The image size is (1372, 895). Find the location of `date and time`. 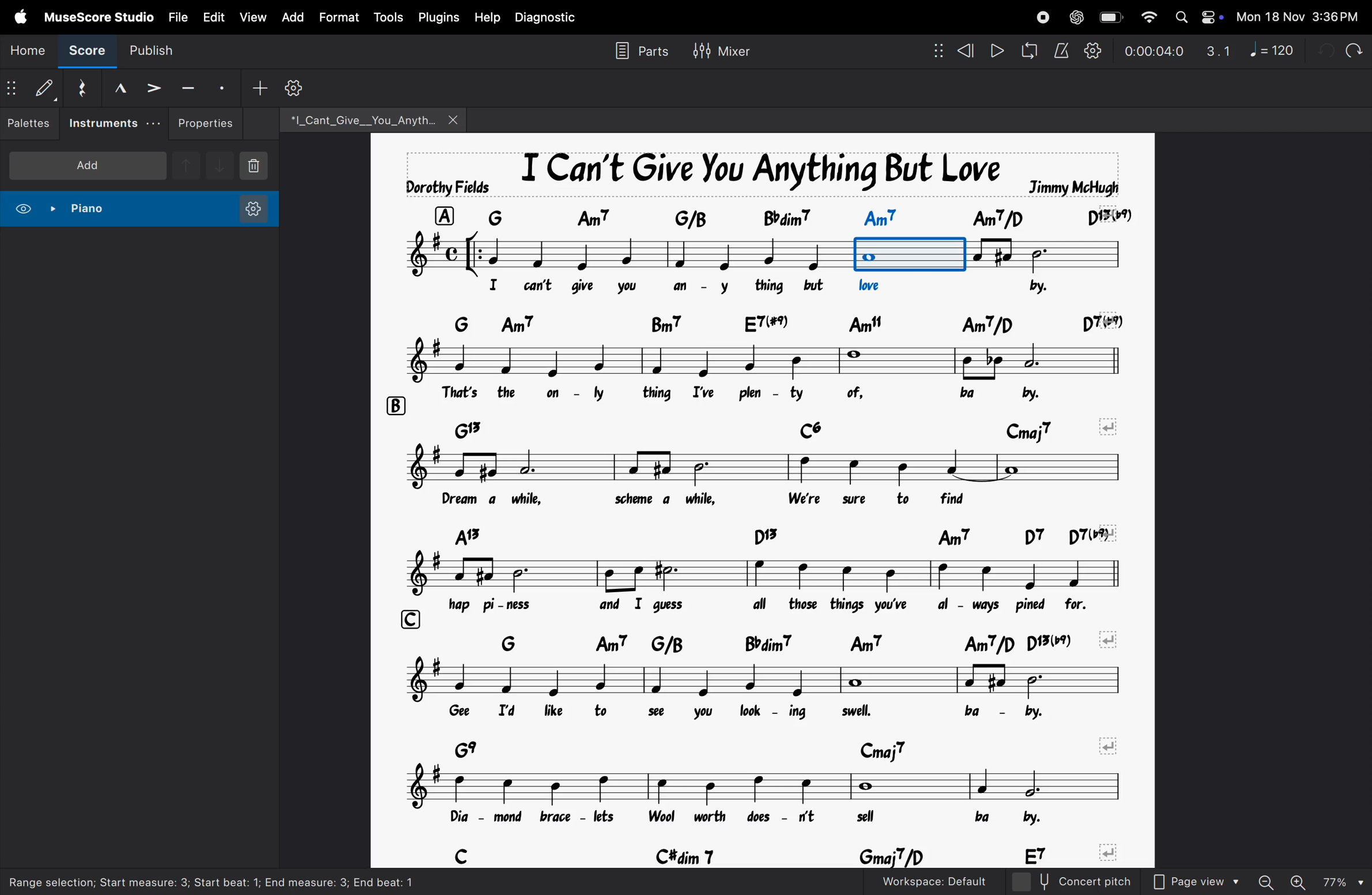

date and time is located at coordinates (1298, 17).